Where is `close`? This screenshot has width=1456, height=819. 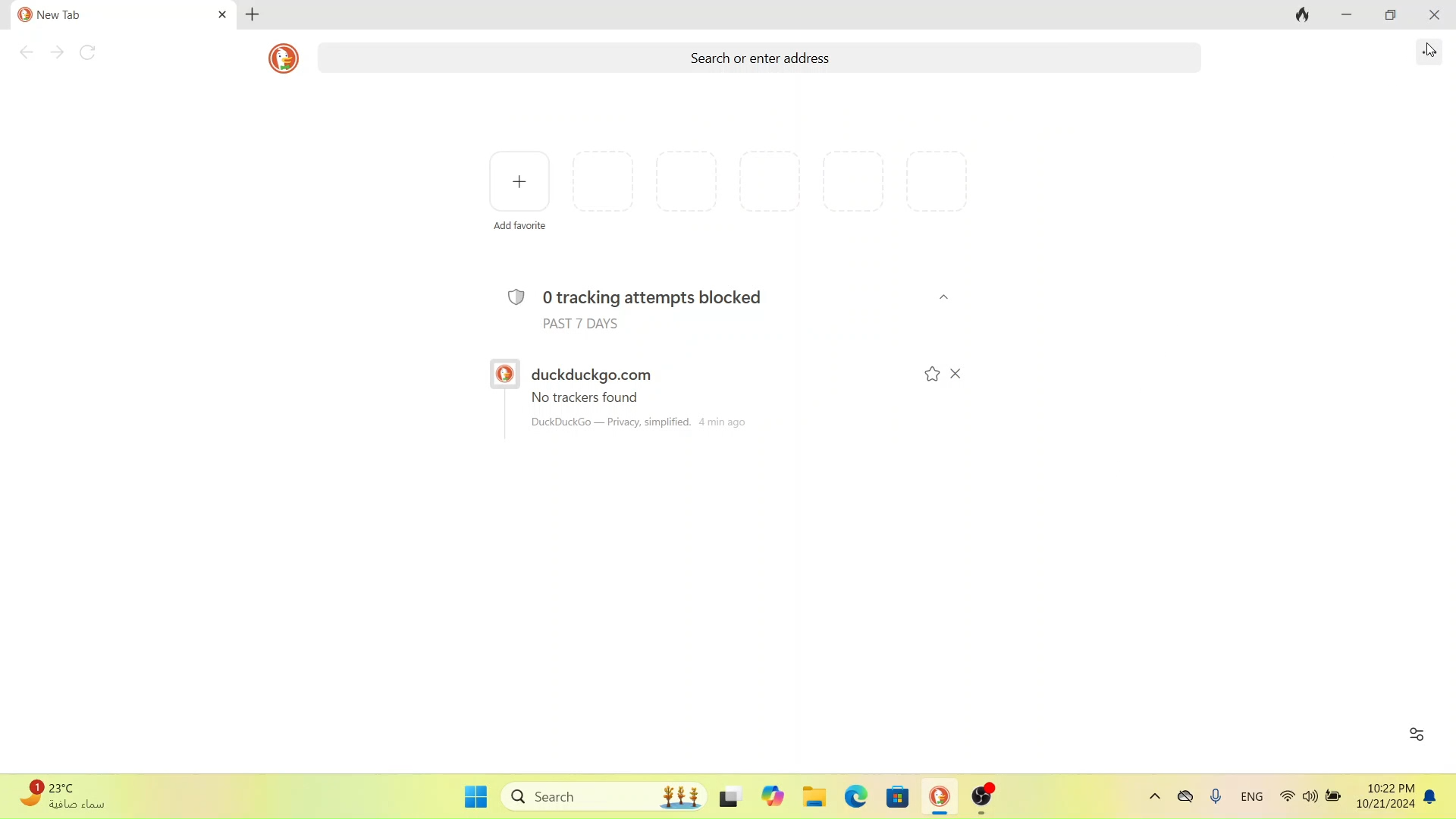
close is located at coordinates (956, 372).